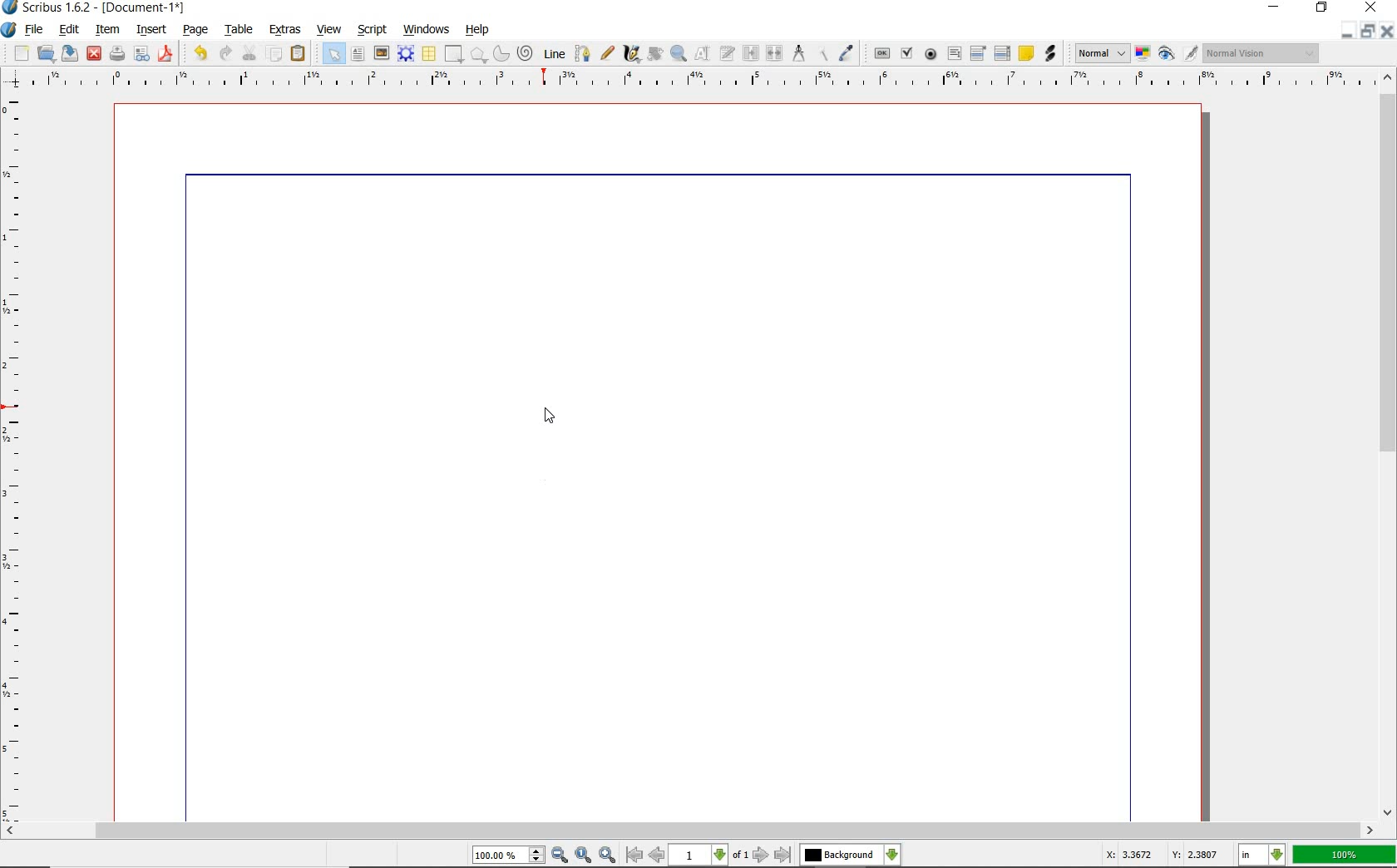 This screenshot has height=868, width=1397. I want to click on edit contents of frame, so click(704, 53).